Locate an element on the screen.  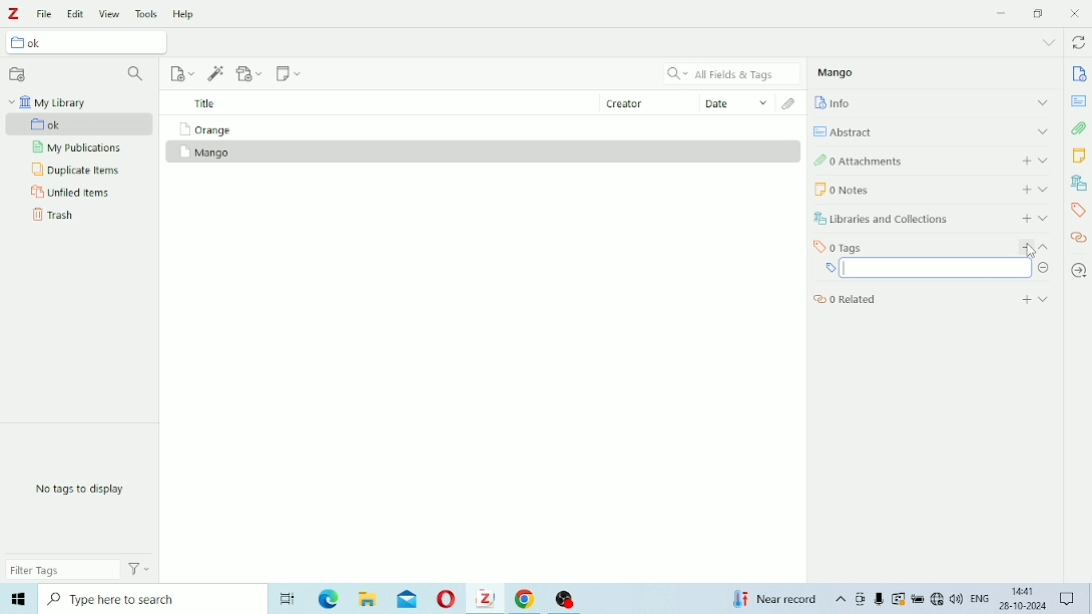
Restore down is located at coordinates (1039, 15).